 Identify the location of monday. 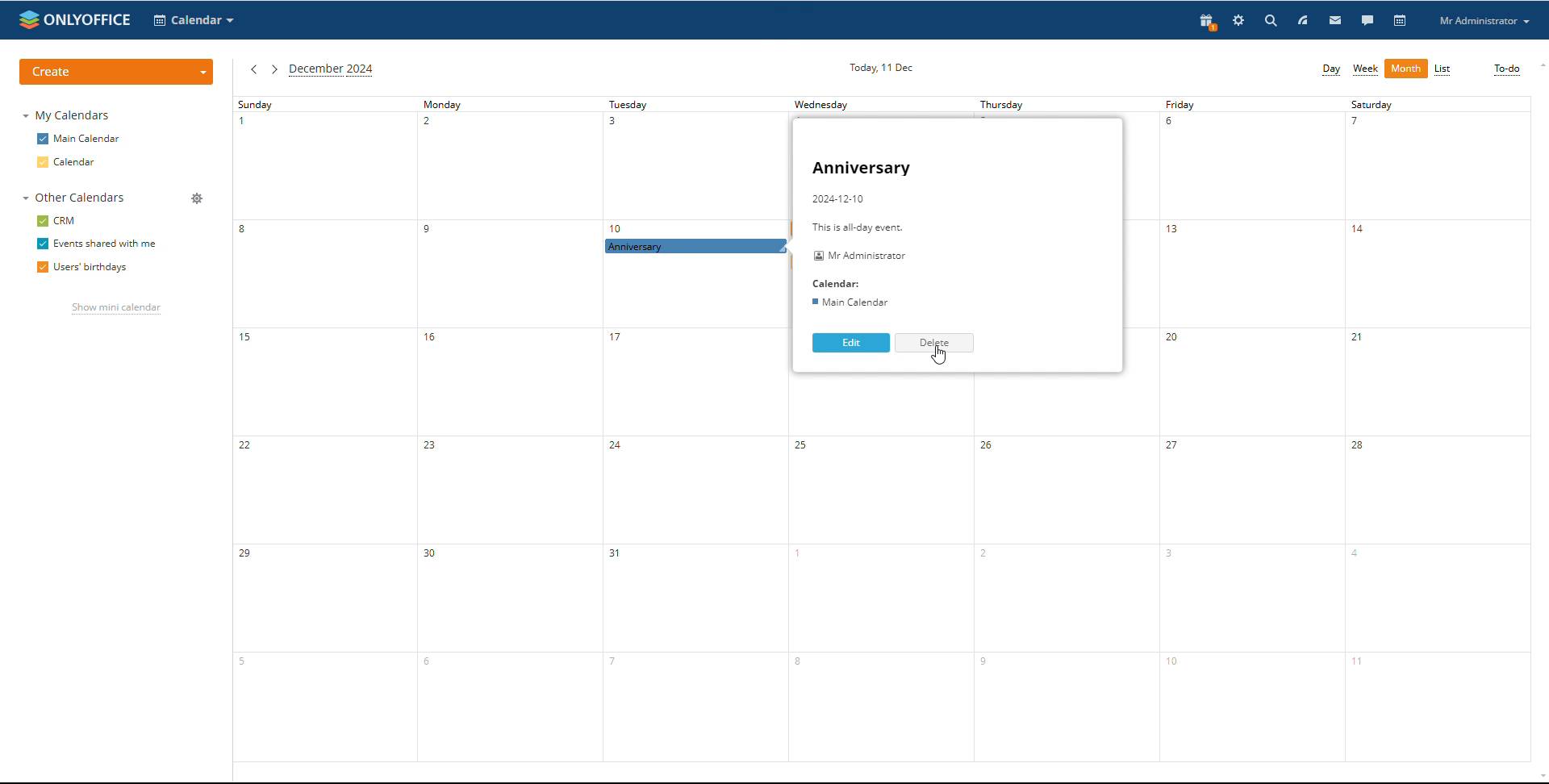
(509, 429).